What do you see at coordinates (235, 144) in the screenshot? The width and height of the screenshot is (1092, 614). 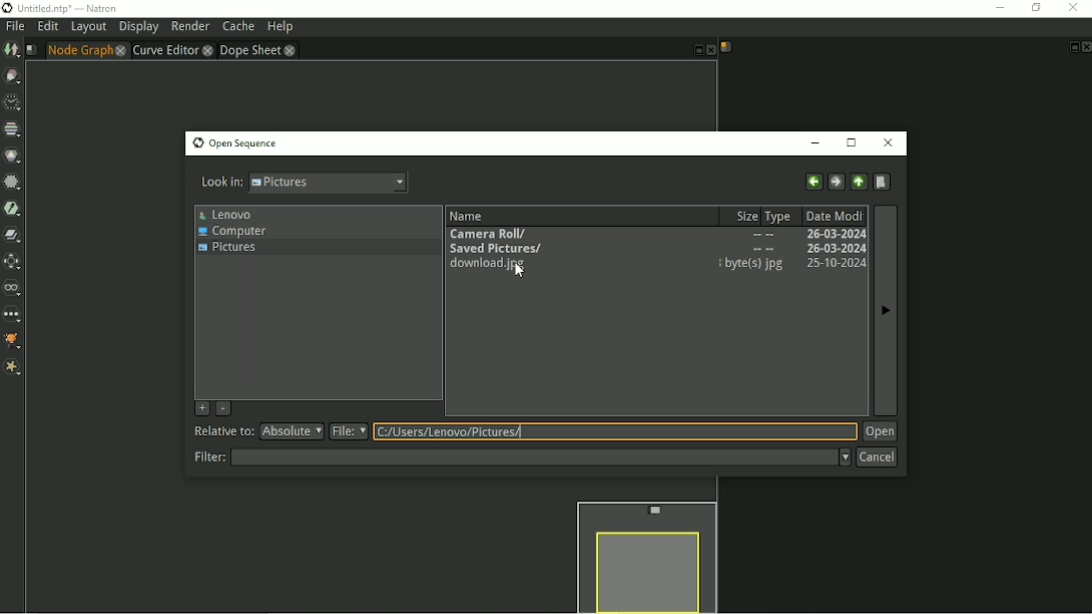 I see `Open source` at bounding box center [235, 144].